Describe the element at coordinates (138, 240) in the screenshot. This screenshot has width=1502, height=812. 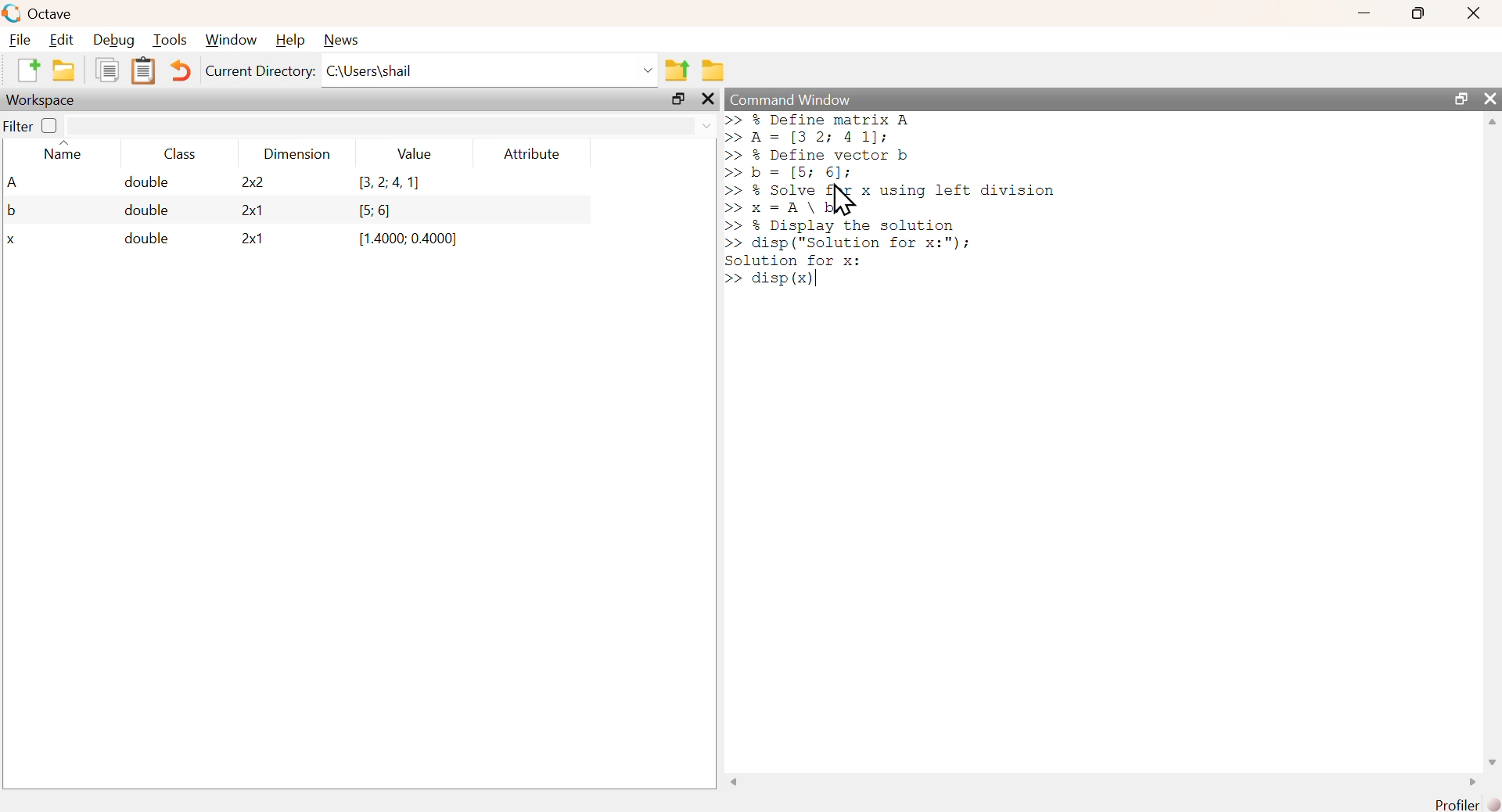
I see `double` at that location.